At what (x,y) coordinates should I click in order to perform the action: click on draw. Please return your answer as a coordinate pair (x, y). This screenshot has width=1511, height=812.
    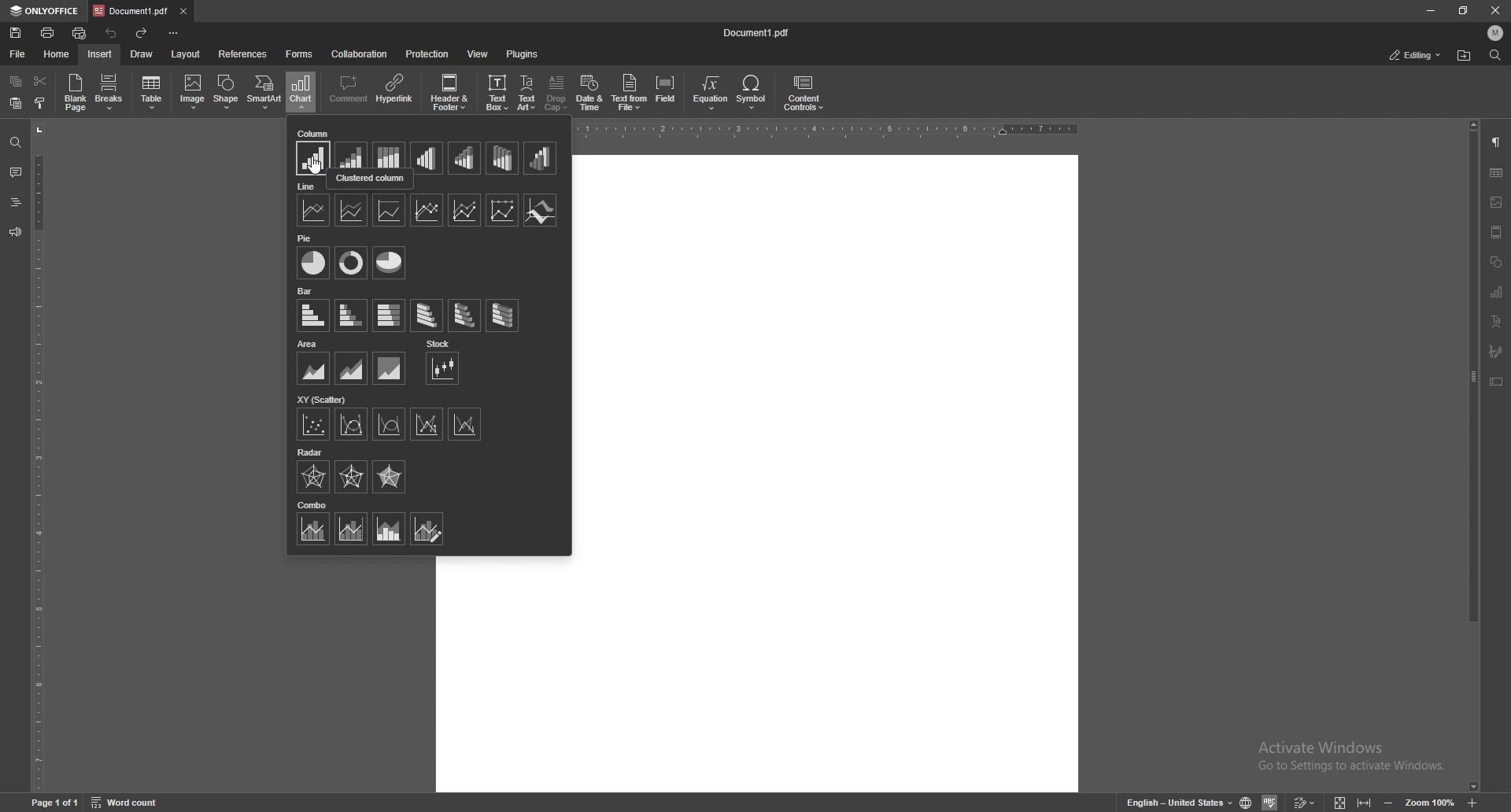
    Looking at the image, I should click on (143, 54).